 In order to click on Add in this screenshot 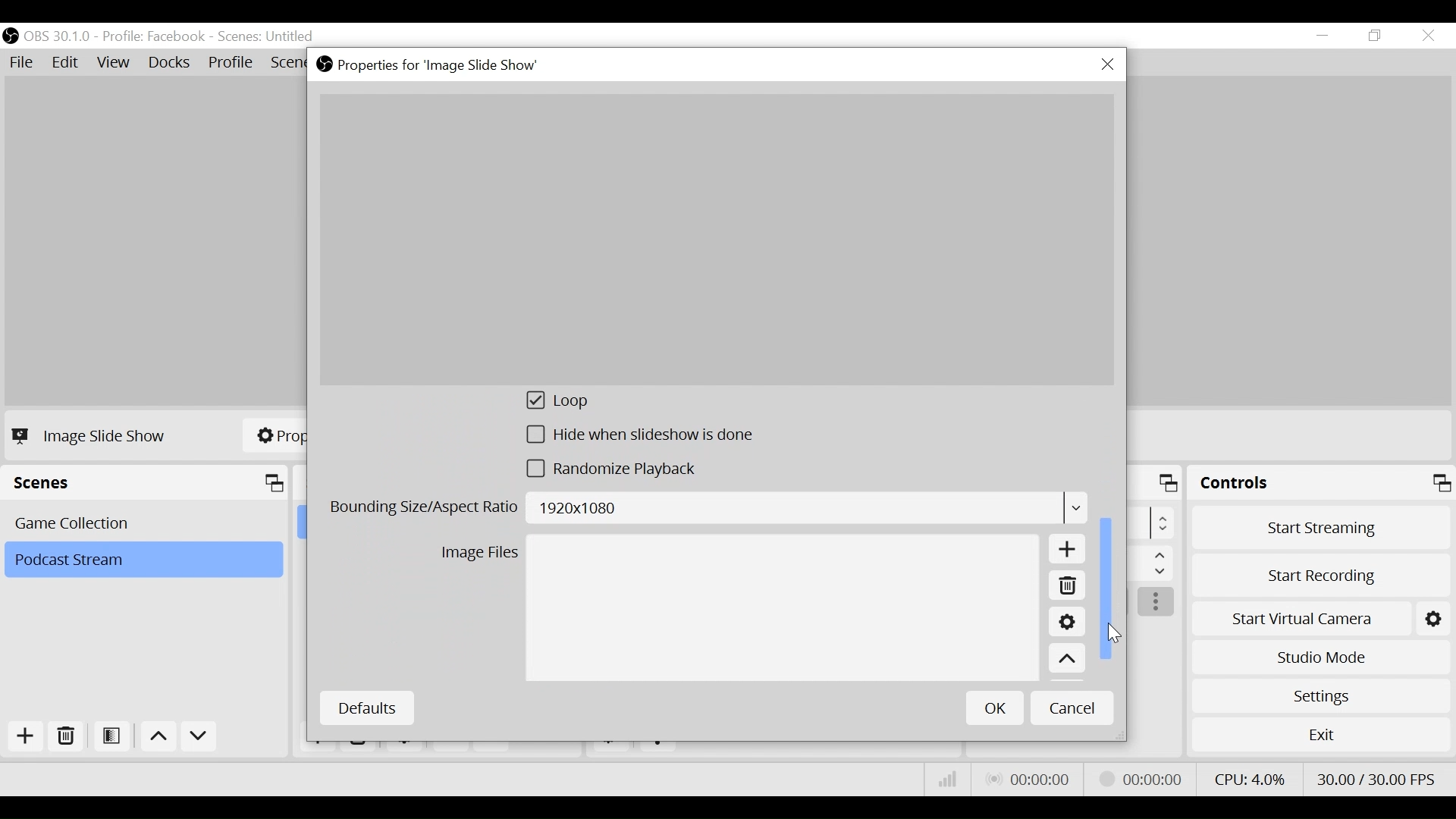, I will do `click(1068, 550)`.